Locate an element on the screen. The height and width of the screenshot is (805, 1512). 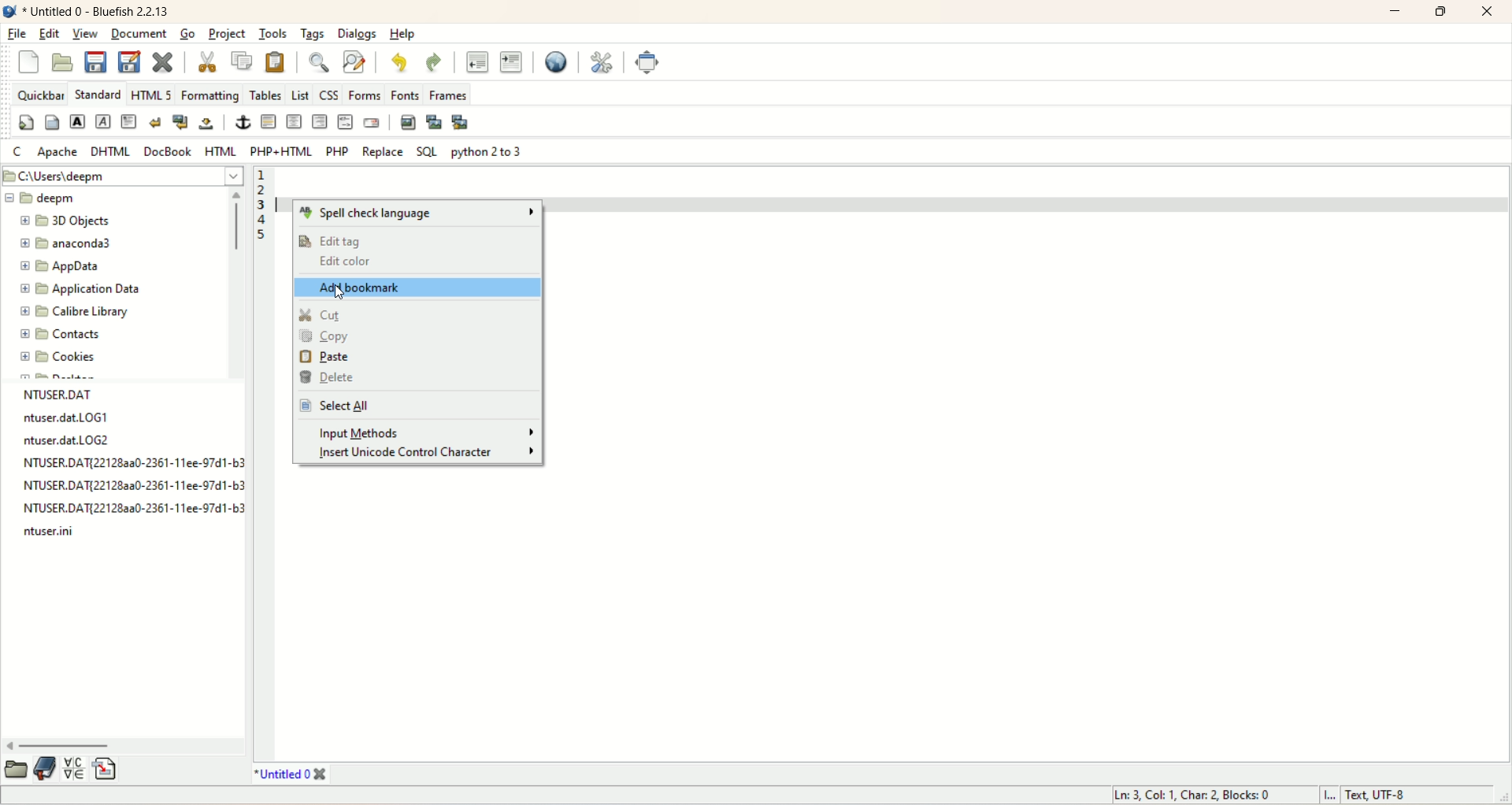
file name is located at coordinates (80, 441).